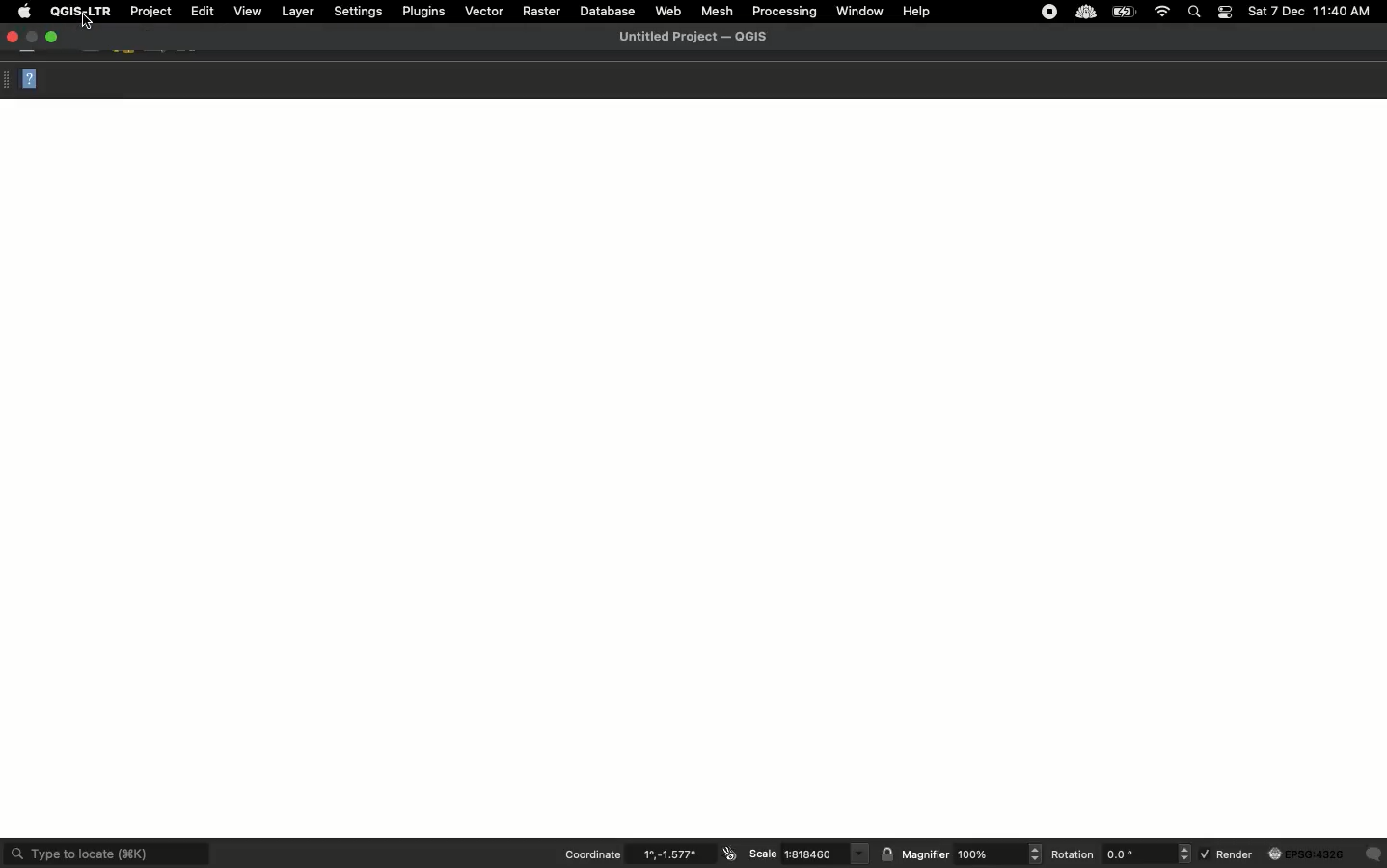 This screenshot has width=1387, height=868. I want to click on Untitled, so click(700, 40).